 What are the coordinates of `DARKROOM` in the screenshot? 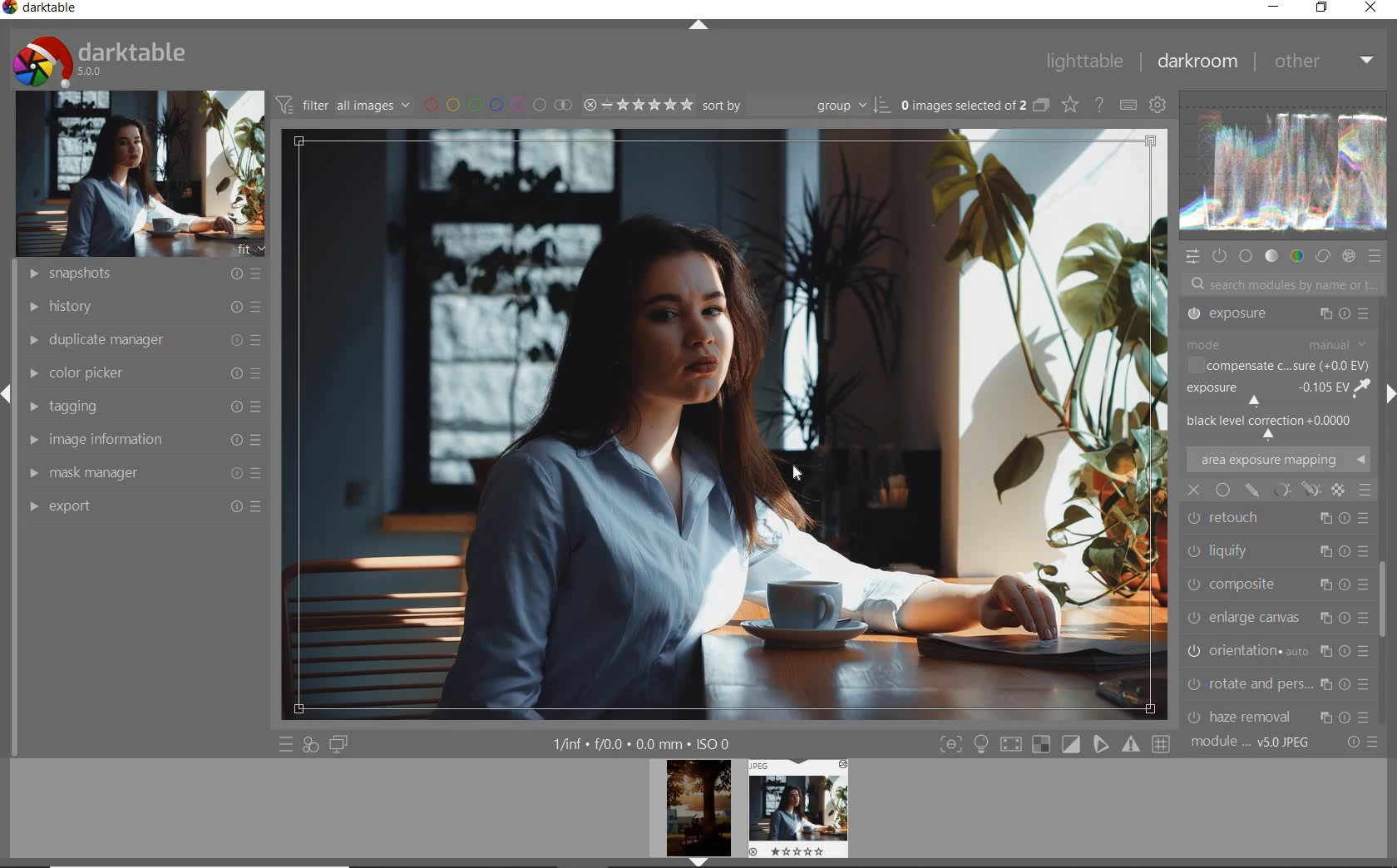 It's located at (1199, 61).